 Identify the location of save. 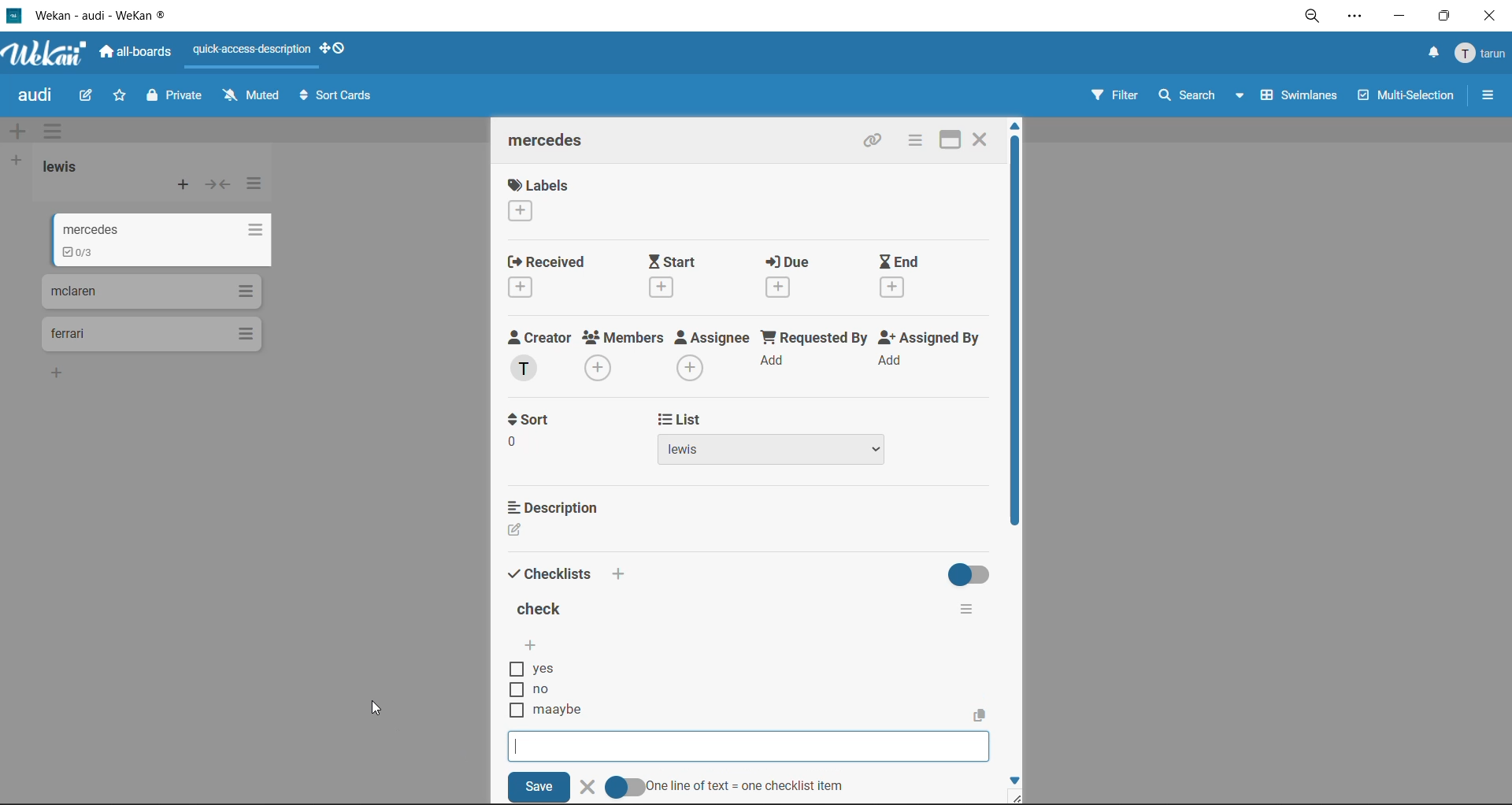
(539, 787).